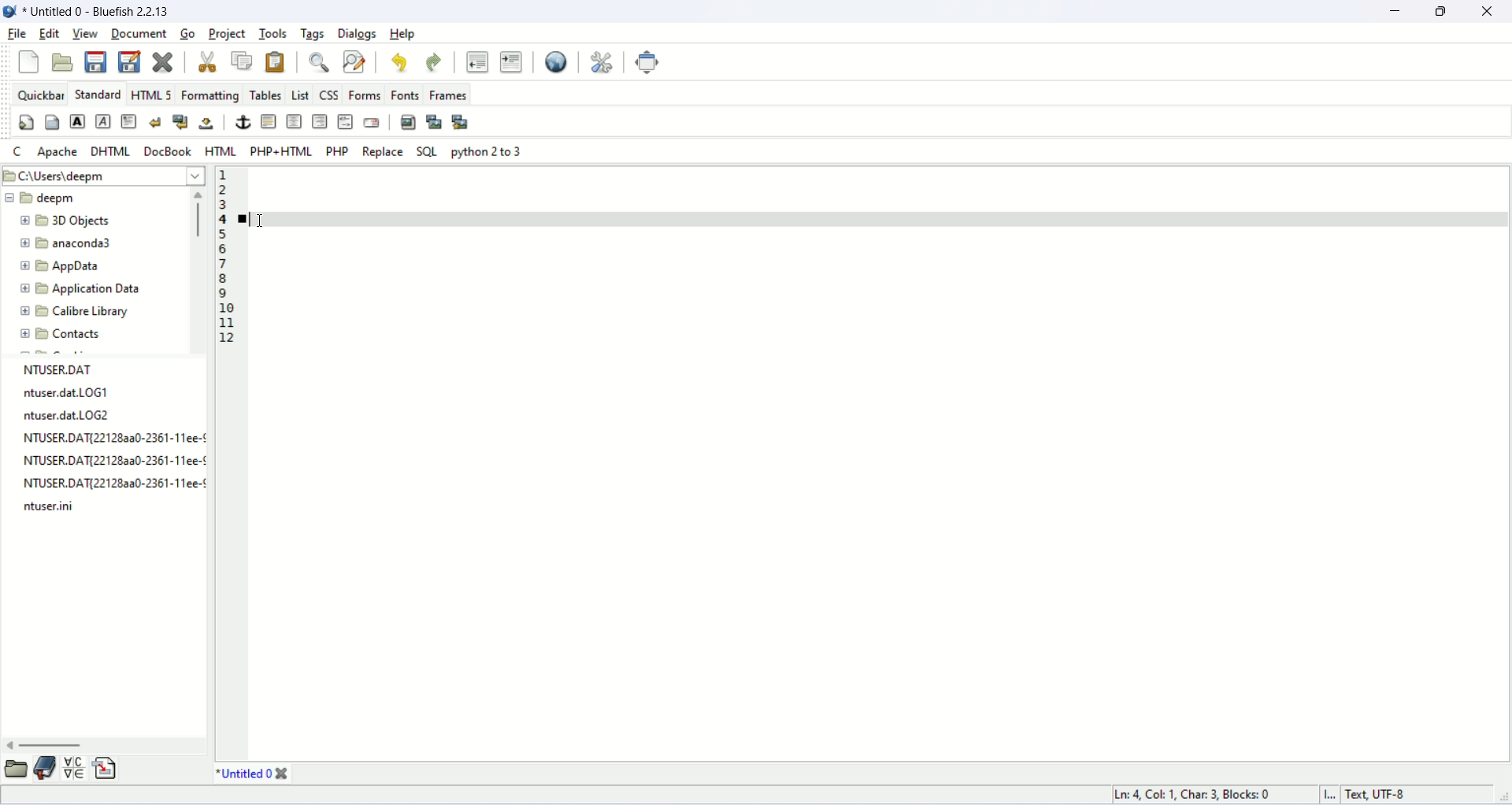  What do you see at coordinates (120, 484) in the screenshot?
I see `NTUSER.DAT{22128AA0-2361-11EE-` at bounding box center [120, 484].